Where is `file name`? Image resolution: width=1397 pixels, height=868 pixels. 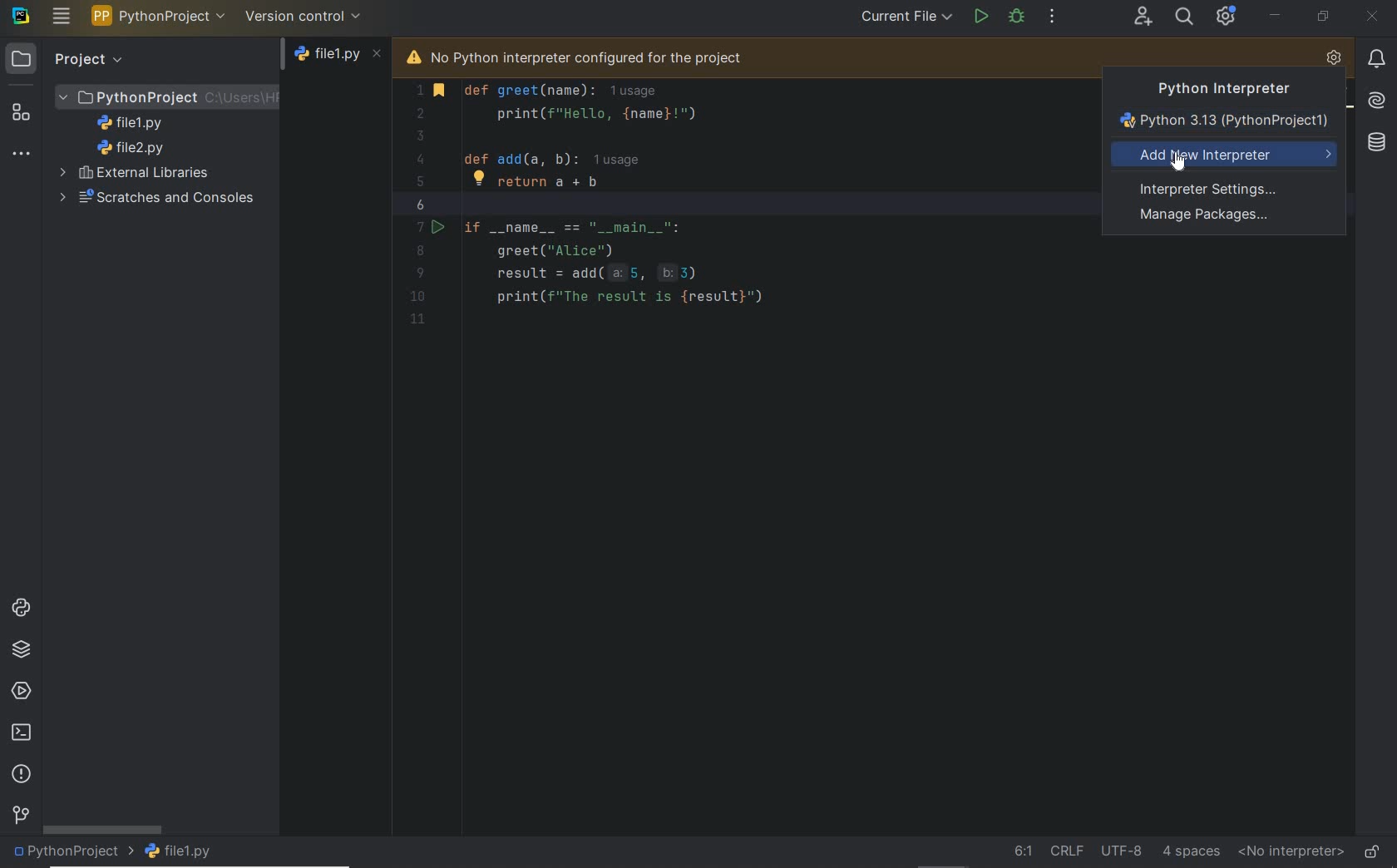 file name is located at coordinates (339, 58).